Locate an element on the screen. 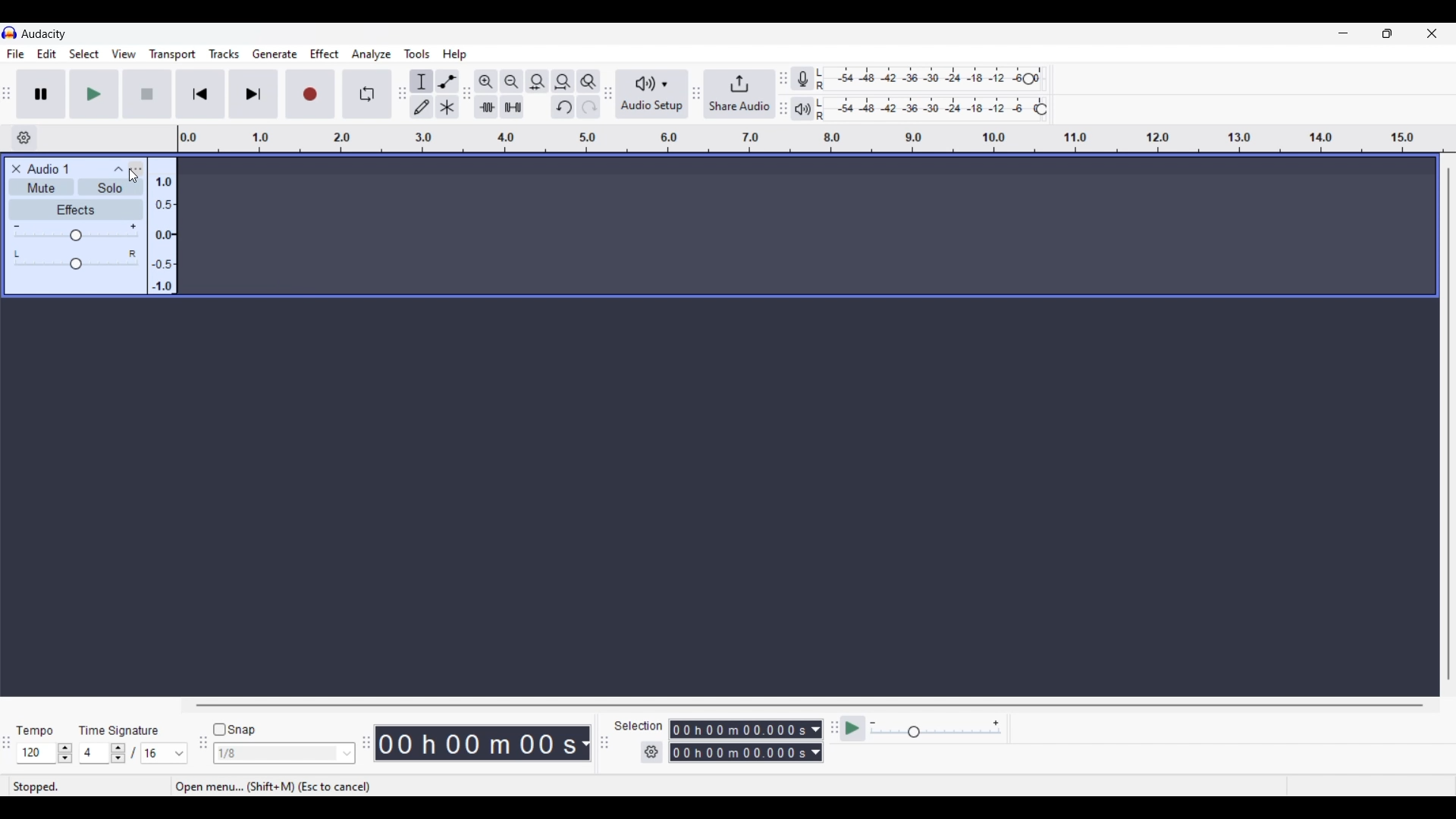  Shows recorded duration is located at coordinates (476, 743).